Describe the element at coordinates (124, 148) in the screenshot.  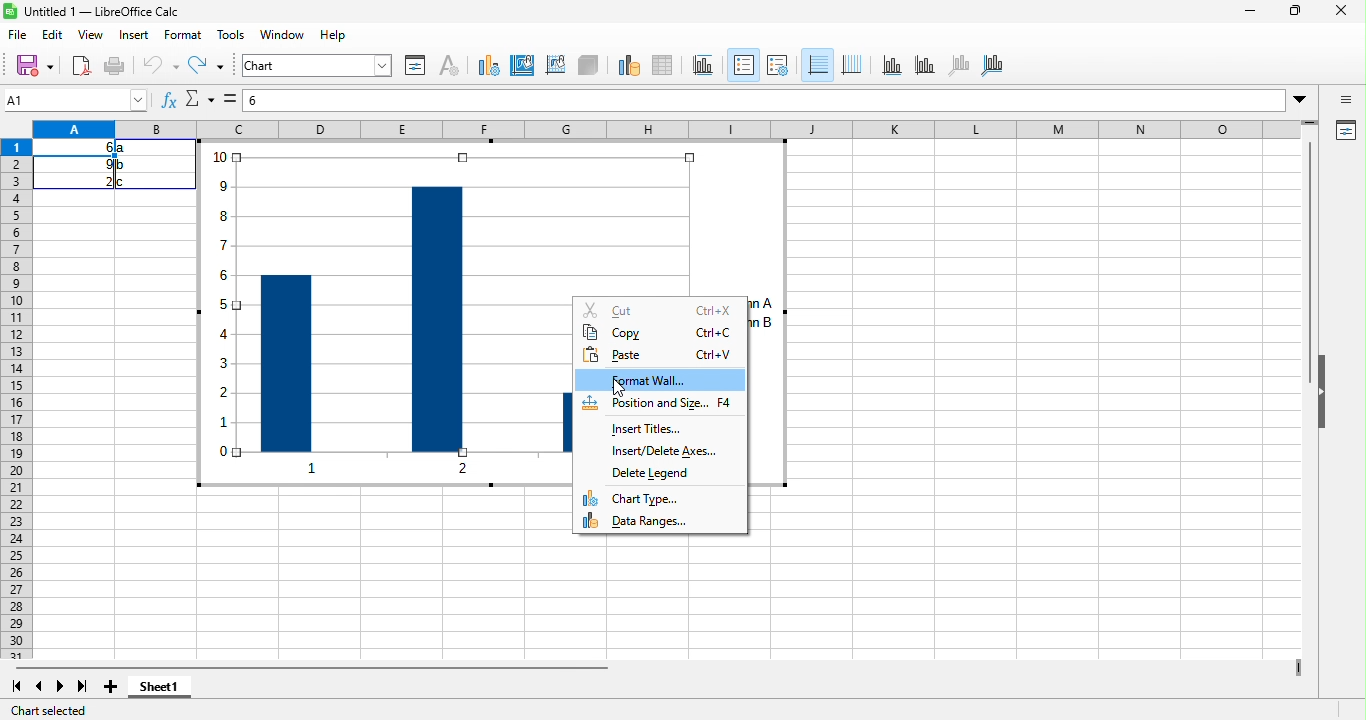
I see `a` at that location.